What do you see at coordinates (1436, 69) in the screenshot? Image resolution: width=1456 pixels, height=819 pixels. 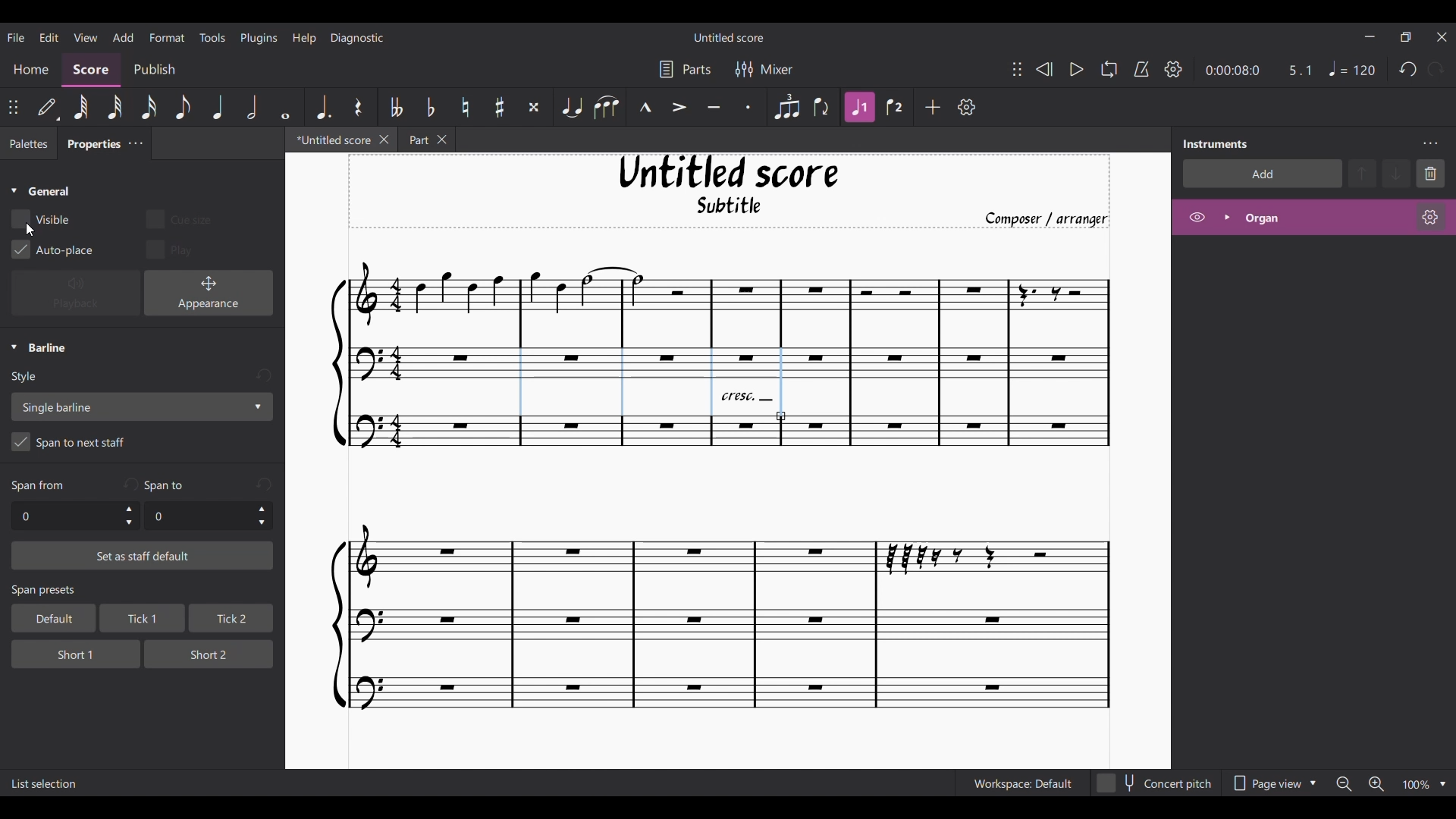 I see `Redo` at bounding box center [1436, 69].